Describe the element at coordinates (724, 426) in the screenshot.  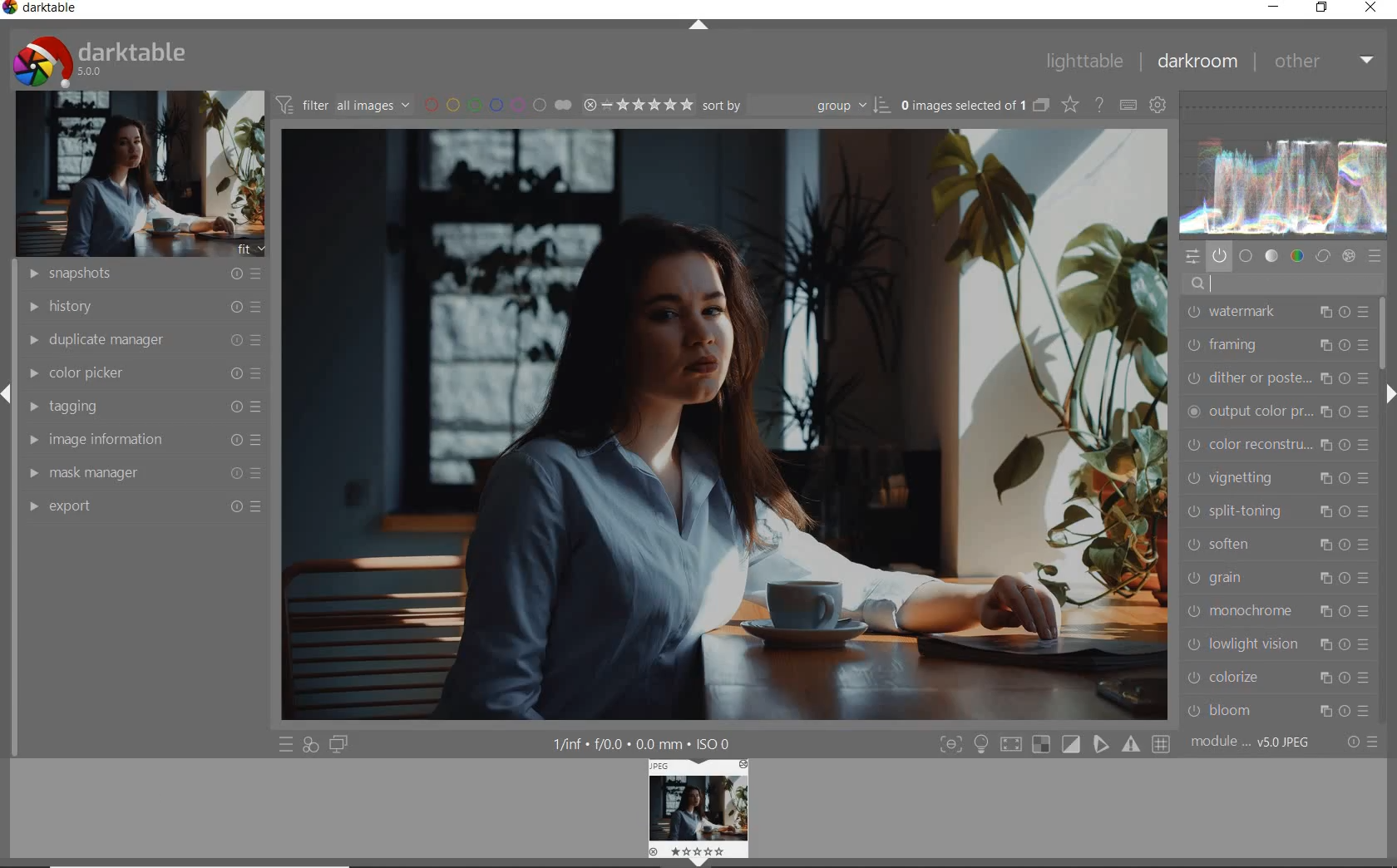
I see `selected image` at that location.